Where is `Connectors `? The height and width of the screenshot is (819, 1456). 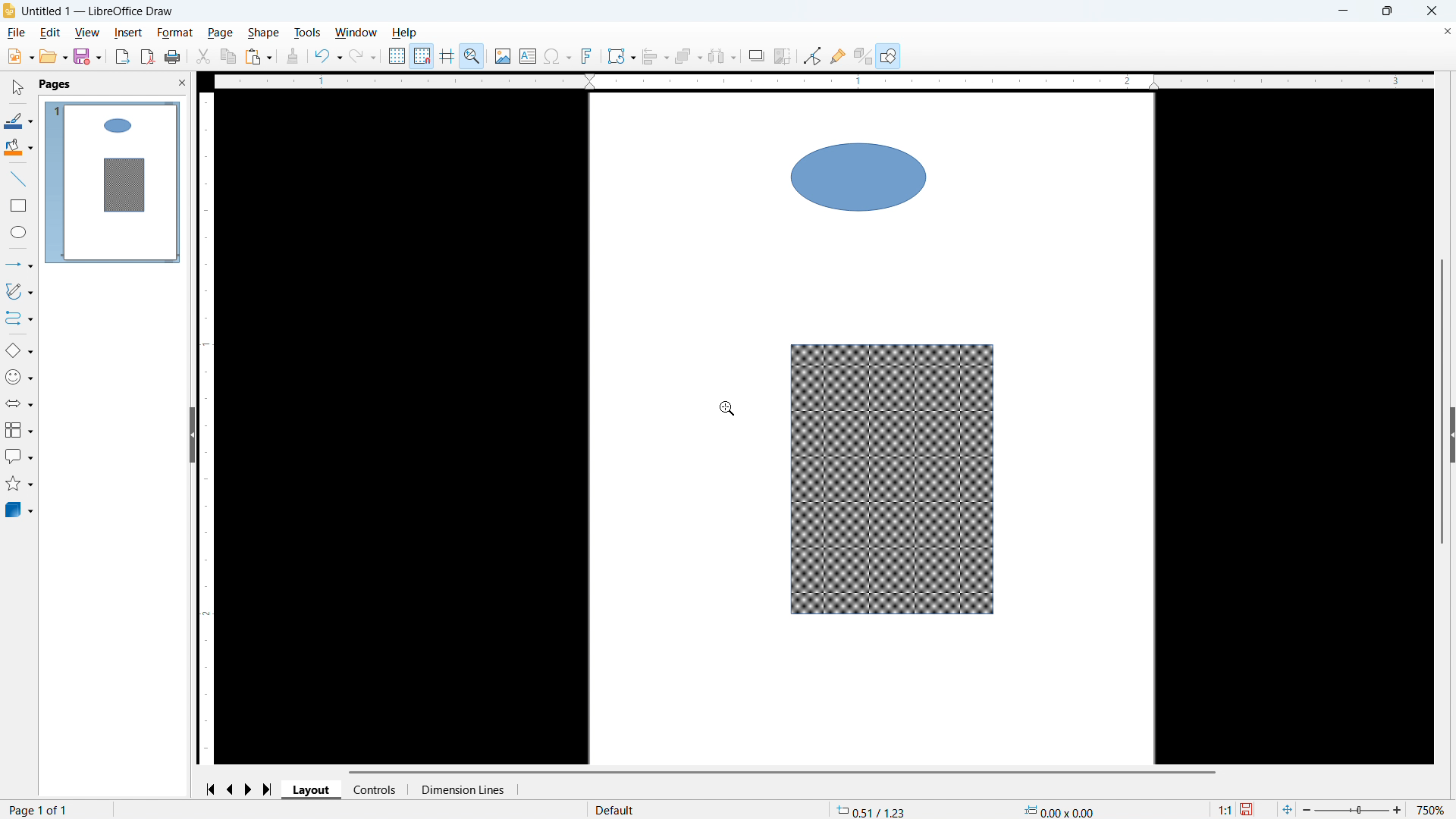
Connectors  is located at coordinates (19, 318).